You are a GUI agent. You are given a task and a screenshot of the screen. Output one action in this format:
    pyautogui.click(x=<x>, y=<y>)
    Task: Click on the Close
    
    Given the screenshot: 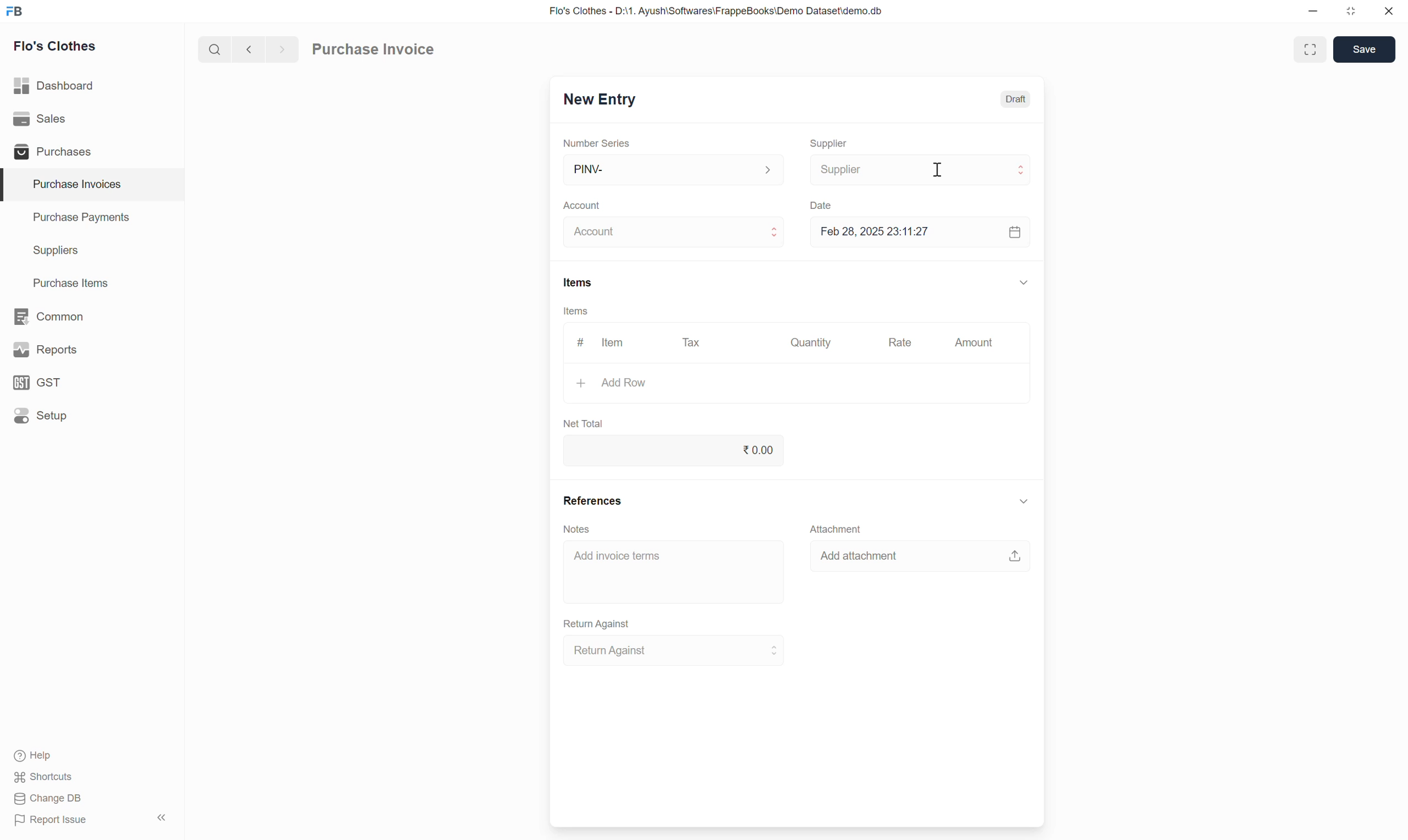 What is the action you would take?
    pyautogui.click(x=1389, y=11)
    